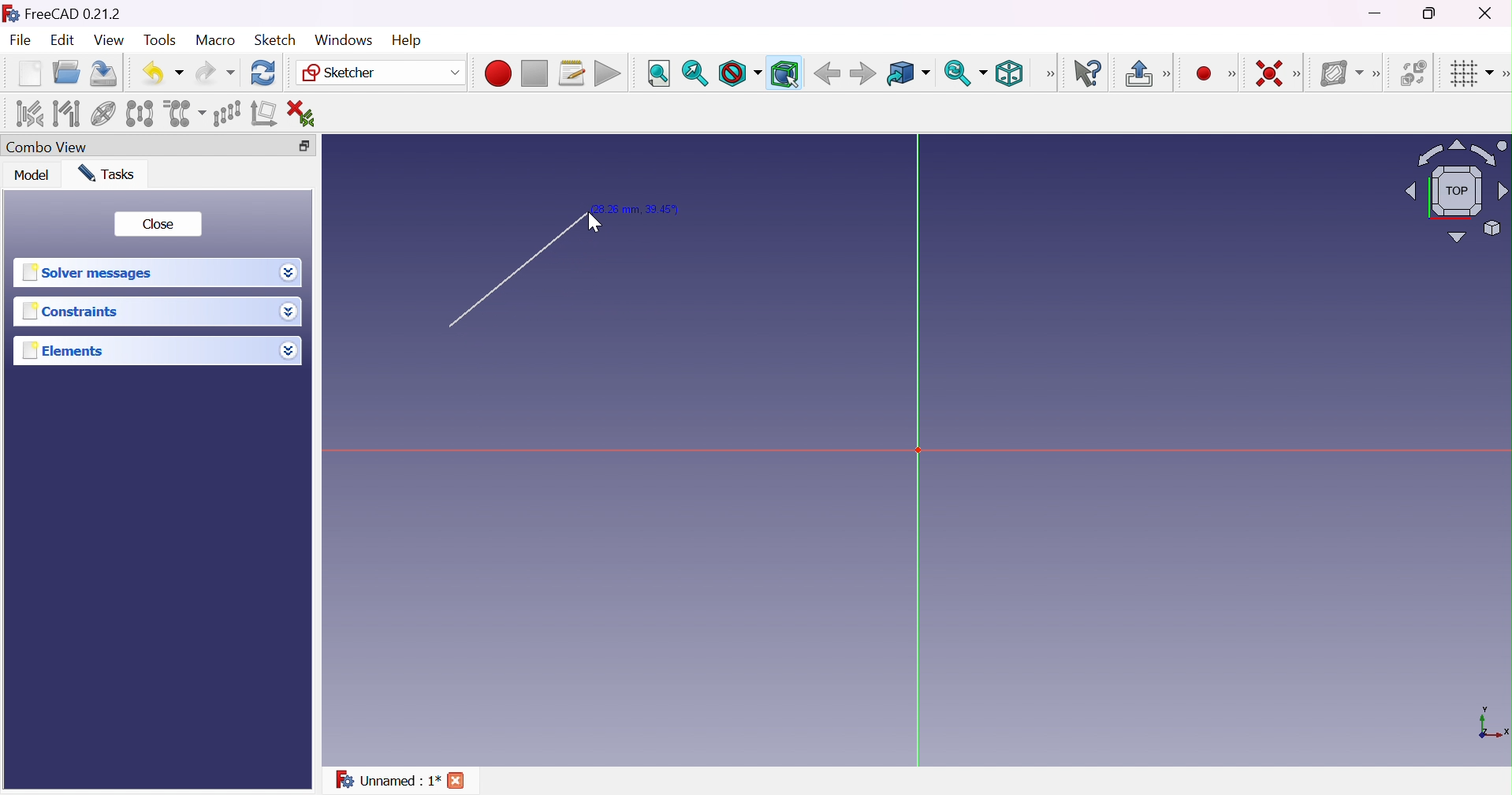 This screenshot has width=1512, height=795. I want to click on Restore down, so click(306, 144).